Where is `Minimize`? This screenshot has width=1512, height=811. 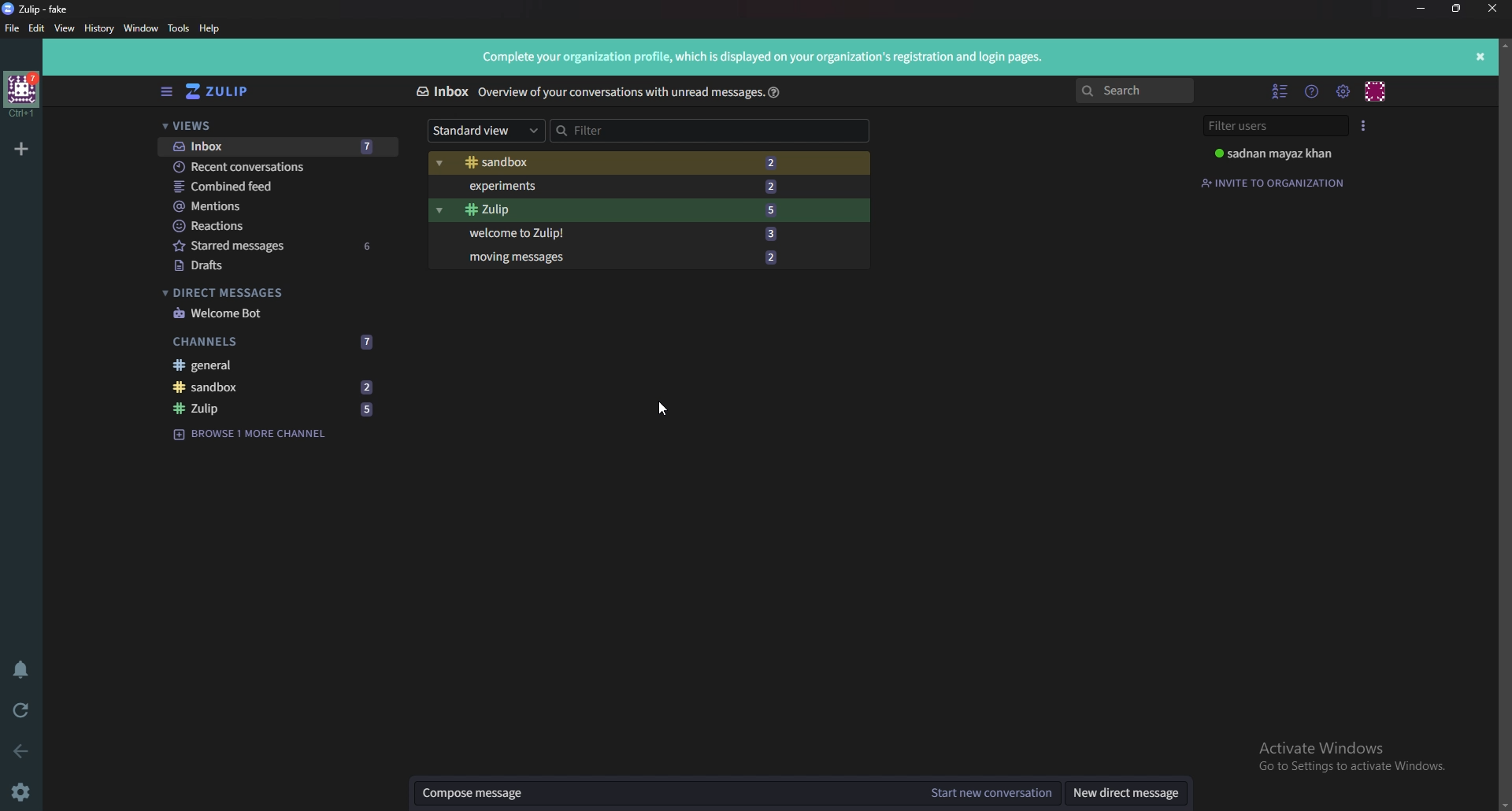
Minimize is located at coordinates (1422, 9).